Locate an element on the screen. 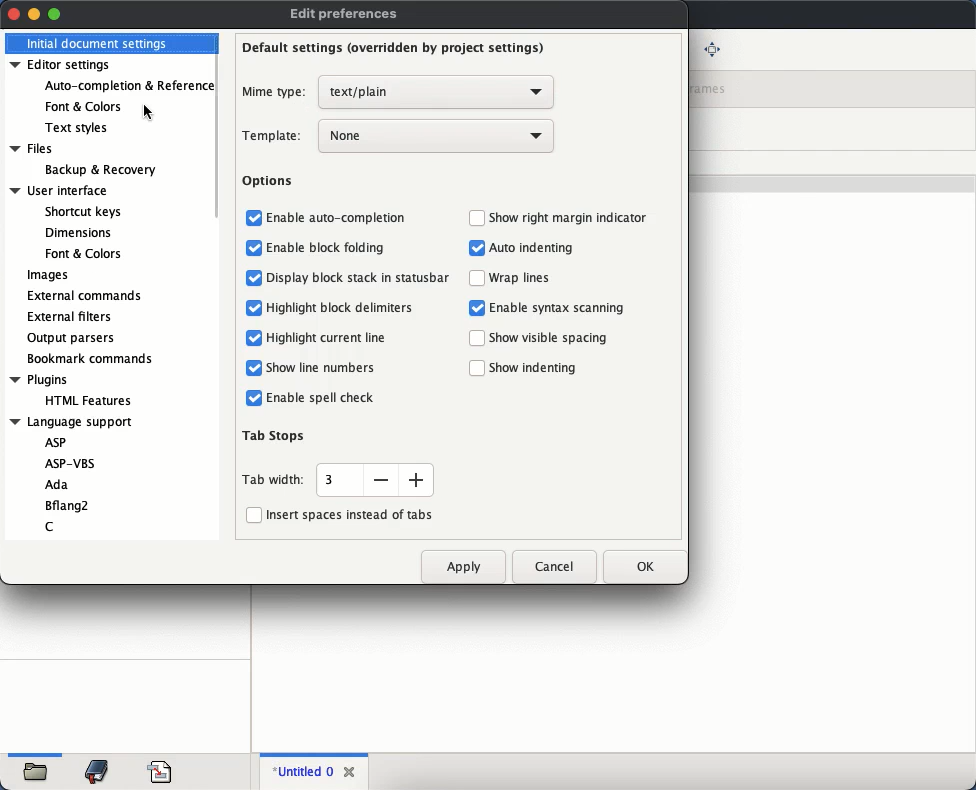 Image resolution: width=976 pixels, height=790 pixels. bookmark is located at coordinates (98, 772).